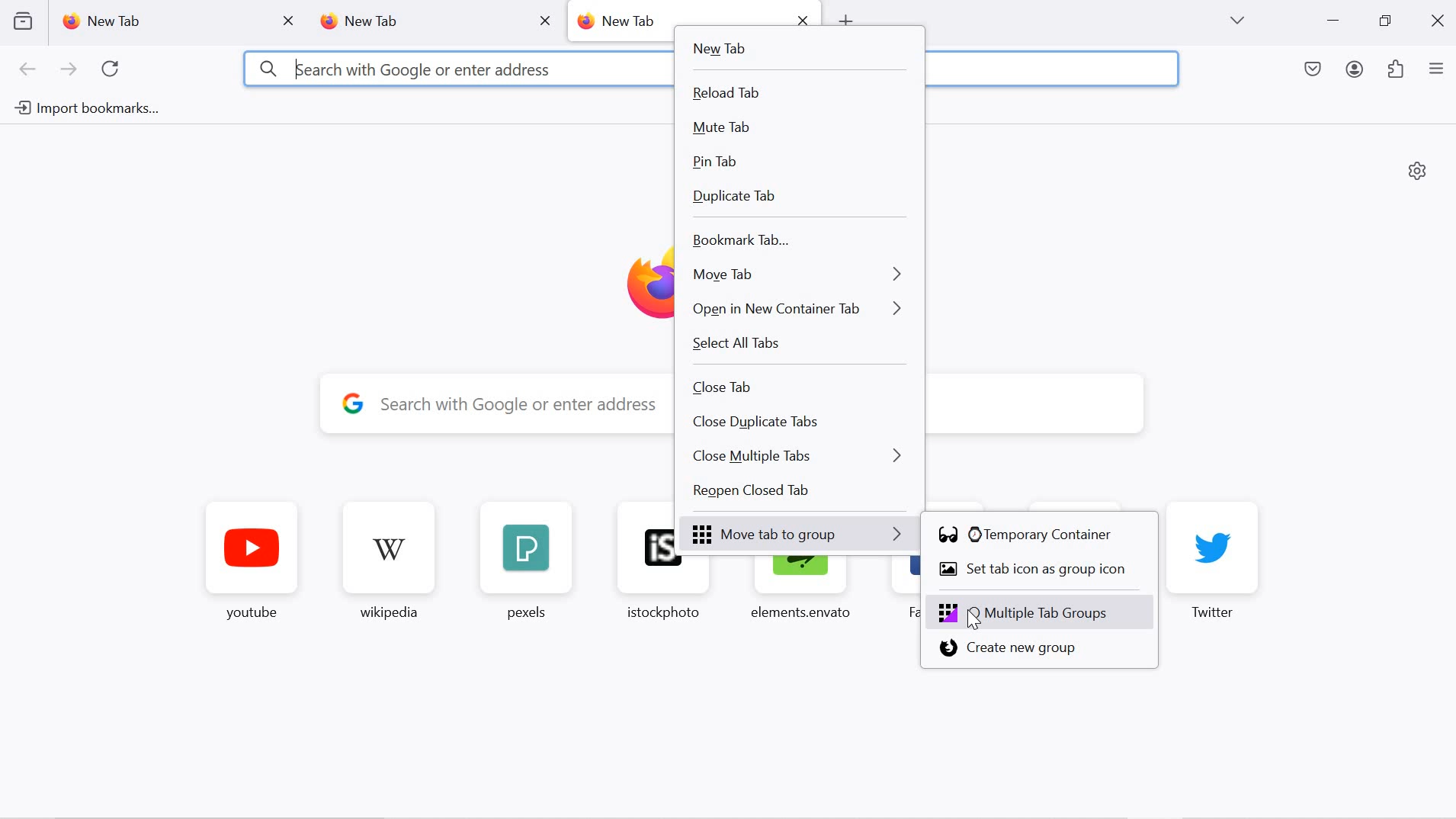  Describe the element at coordinates (1384, 21) in the screenshot. I see `restore down` at that location.